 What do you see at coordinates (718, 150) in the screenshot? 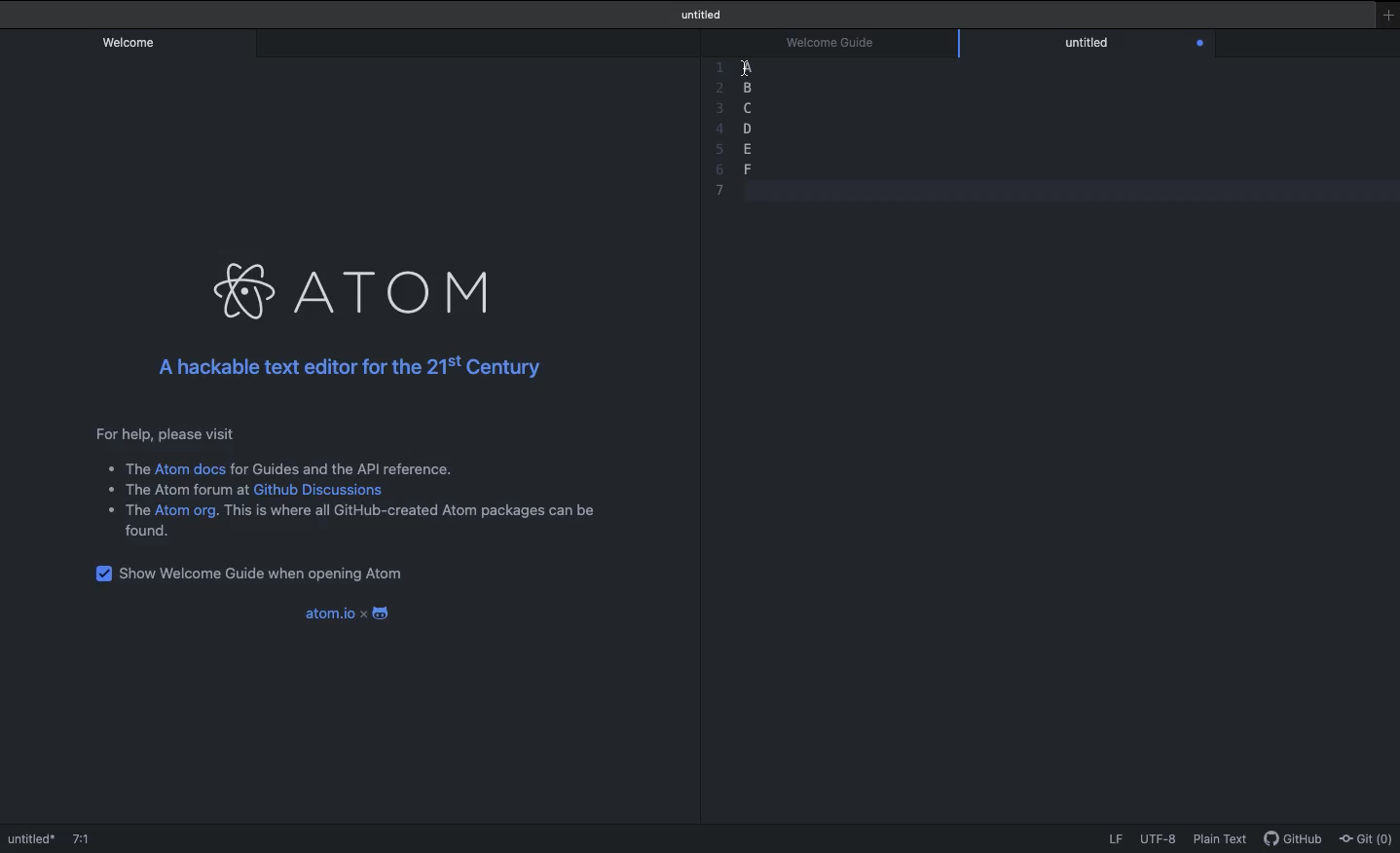
I see `5` at bounding box center [718, 150].